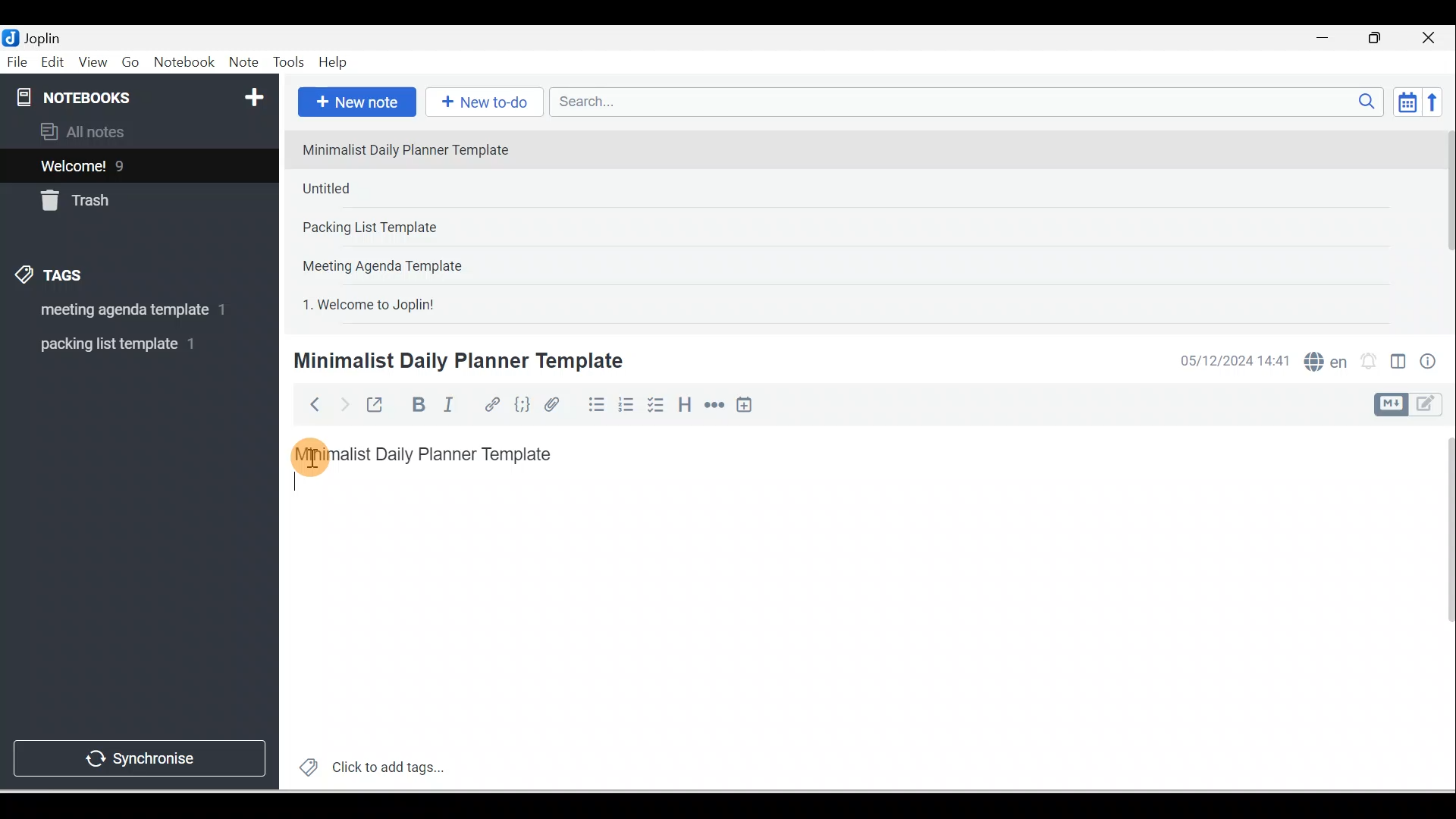 The height and width of the screenshot is (819, 1456). I want to click on Toggle editor layout, so click(1414, 405).